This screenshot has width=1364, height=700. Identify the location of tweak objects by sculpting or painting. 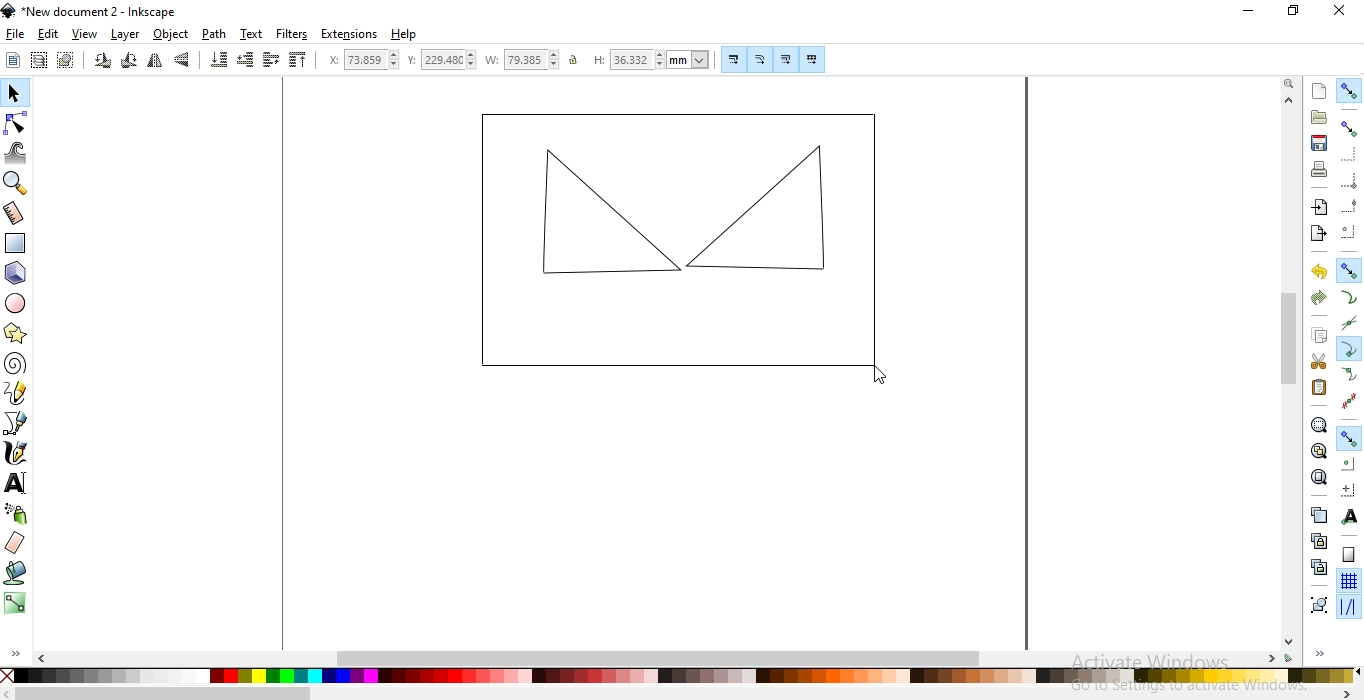
(15, 153).